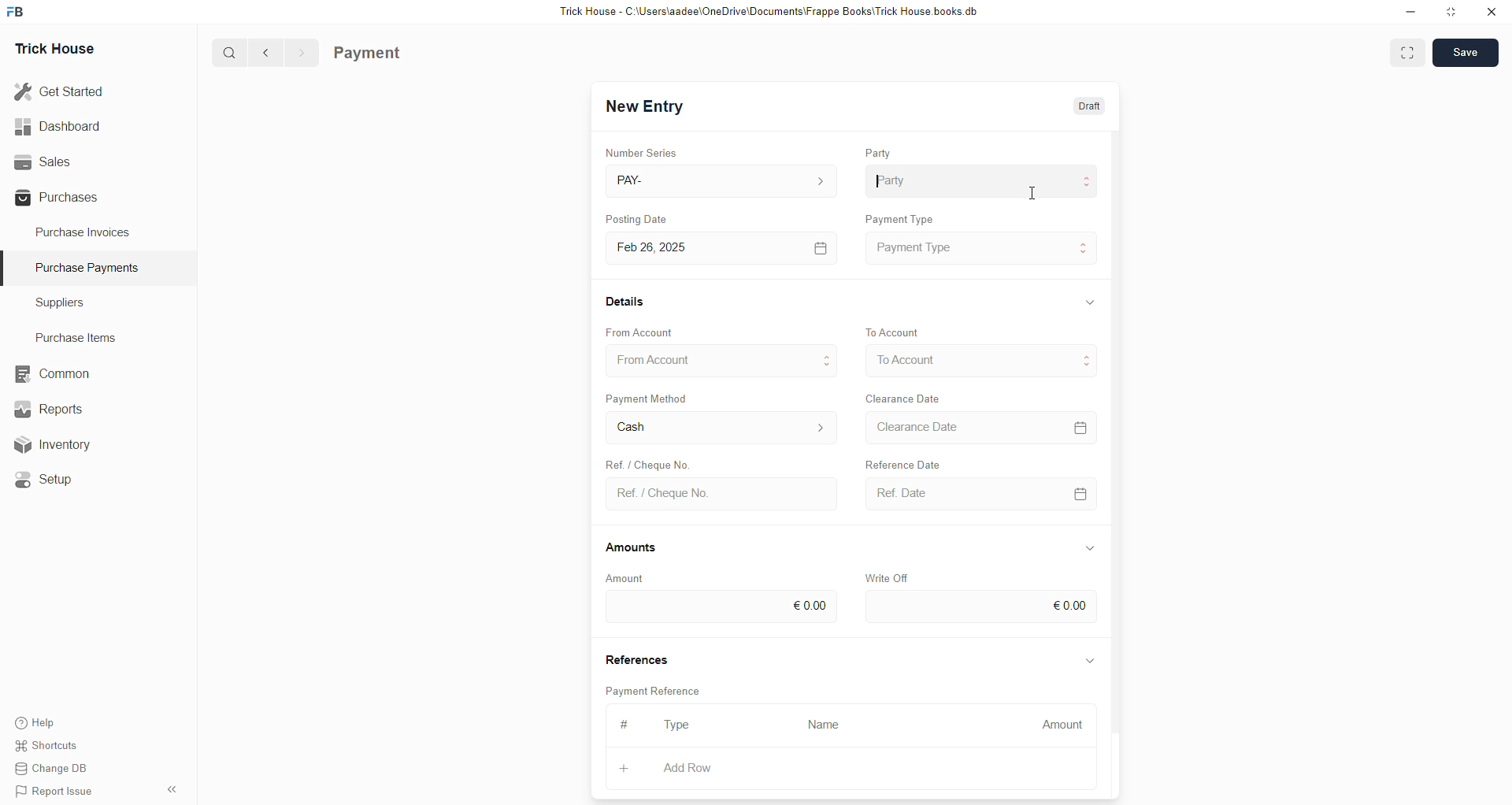 This screenshot has width=1512, height=805. What do you see at coordinates (888, 574) in the screenshot?
I see `Write Off` at bounding box center [888, 574].